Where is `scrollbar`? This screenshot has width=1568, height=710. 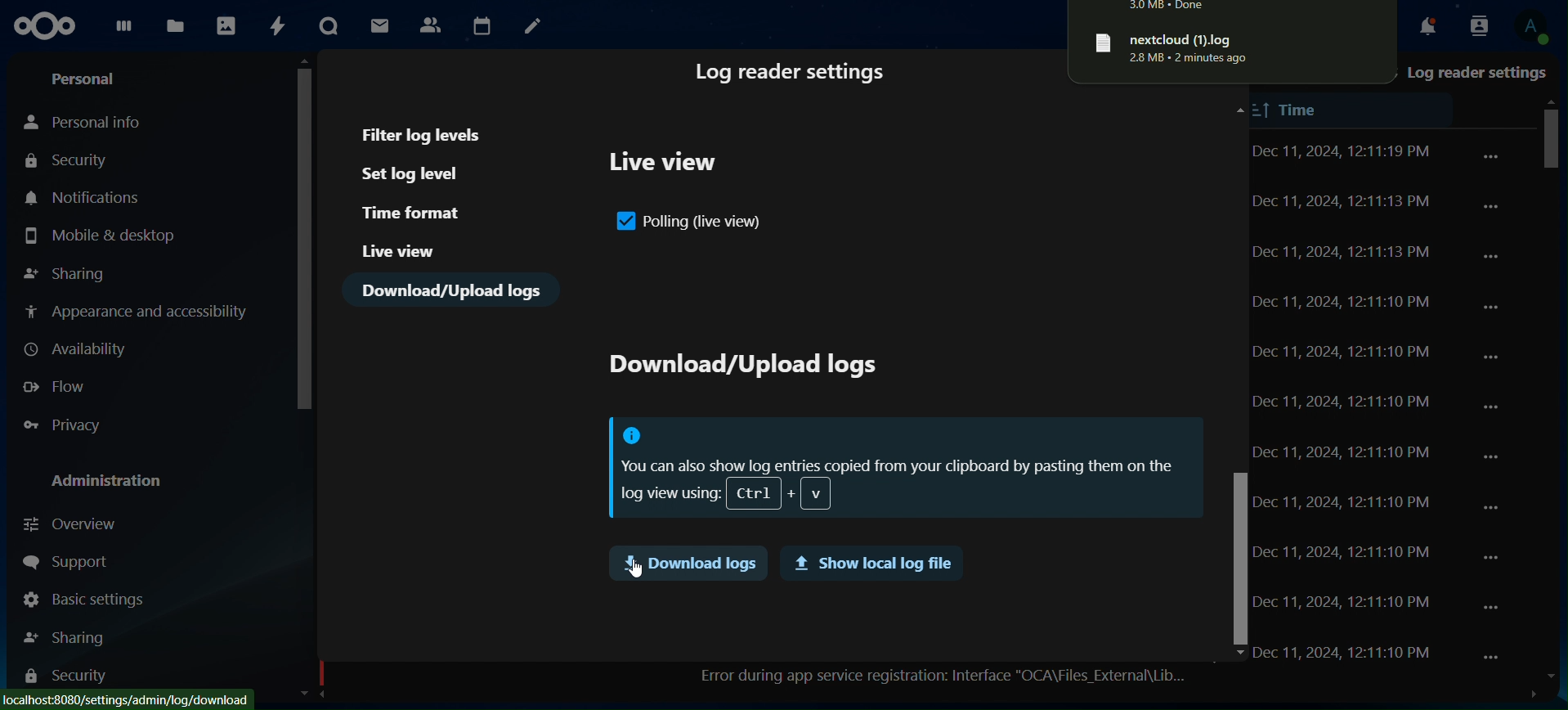
scrollbar is located at coordinates (305, 231).